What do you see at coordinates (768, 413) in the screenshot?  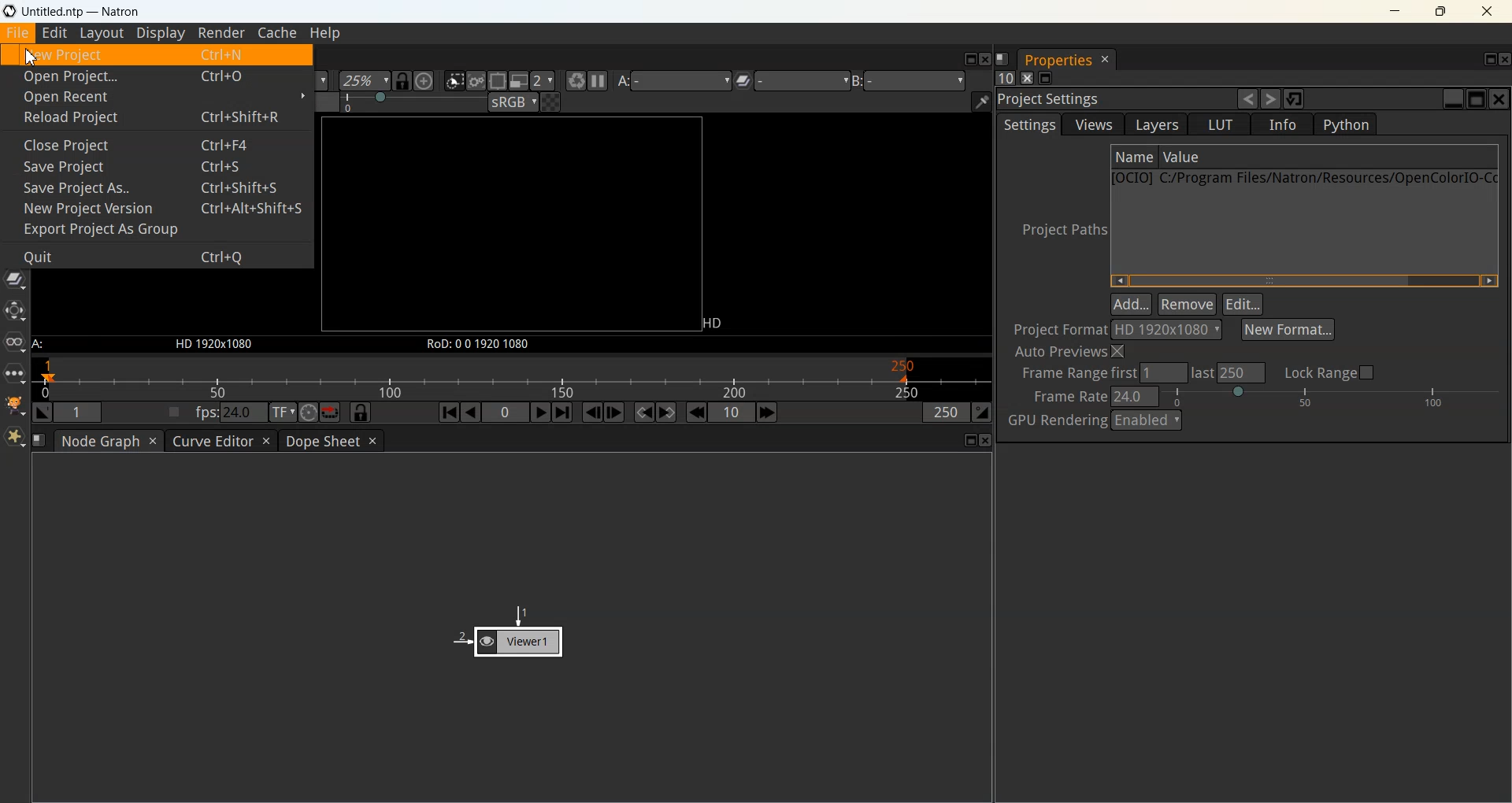 I see `Next Increment` at bounding box center [768, 413].